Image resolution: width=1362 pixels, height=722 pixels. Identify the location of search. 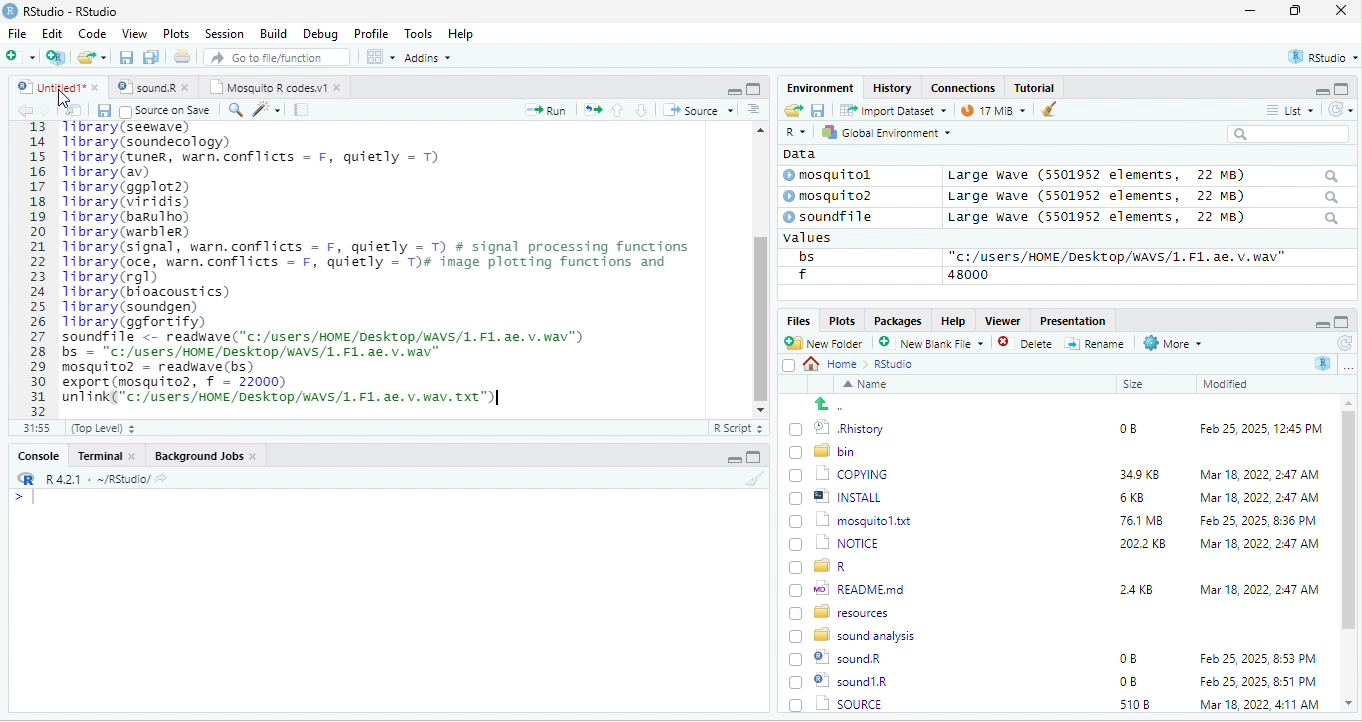
(1288, 134).